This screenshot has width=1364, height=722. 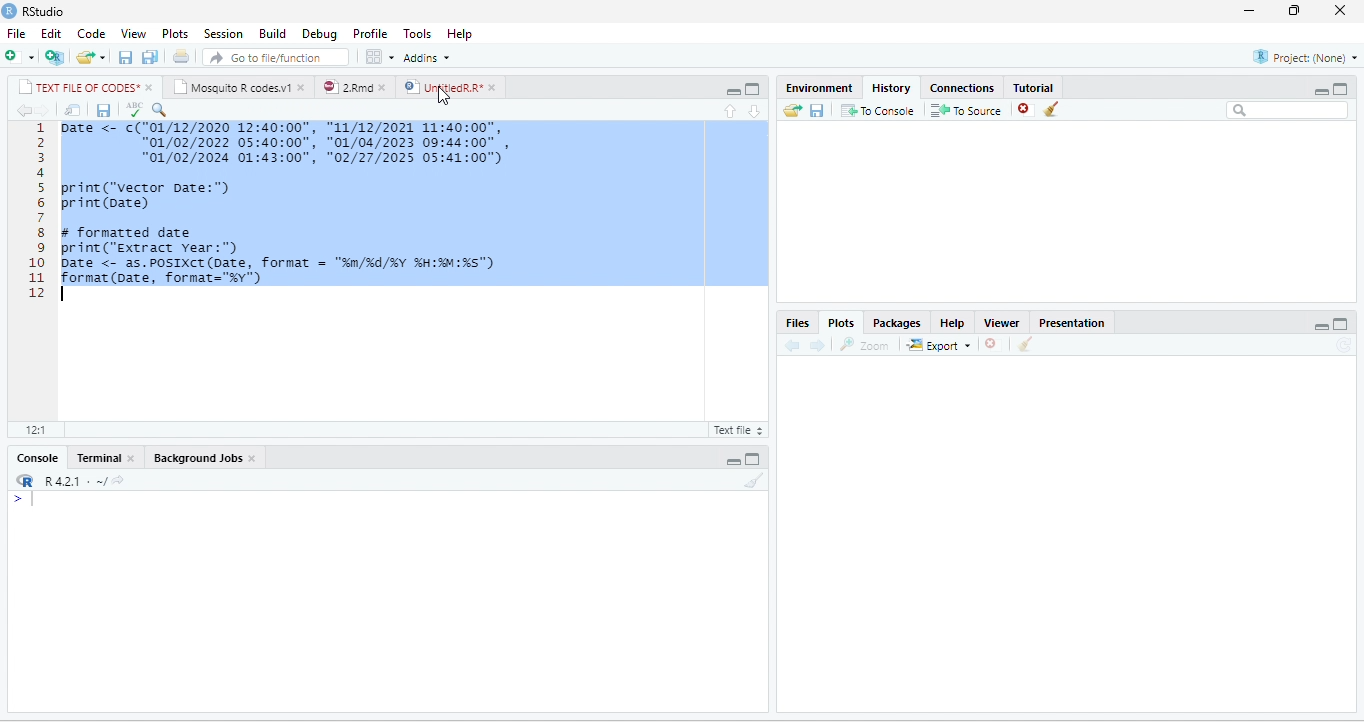 What do you see at coordinates (793, 110) in the screenshot?
I see `open folder` at bounding box center [793, 110].